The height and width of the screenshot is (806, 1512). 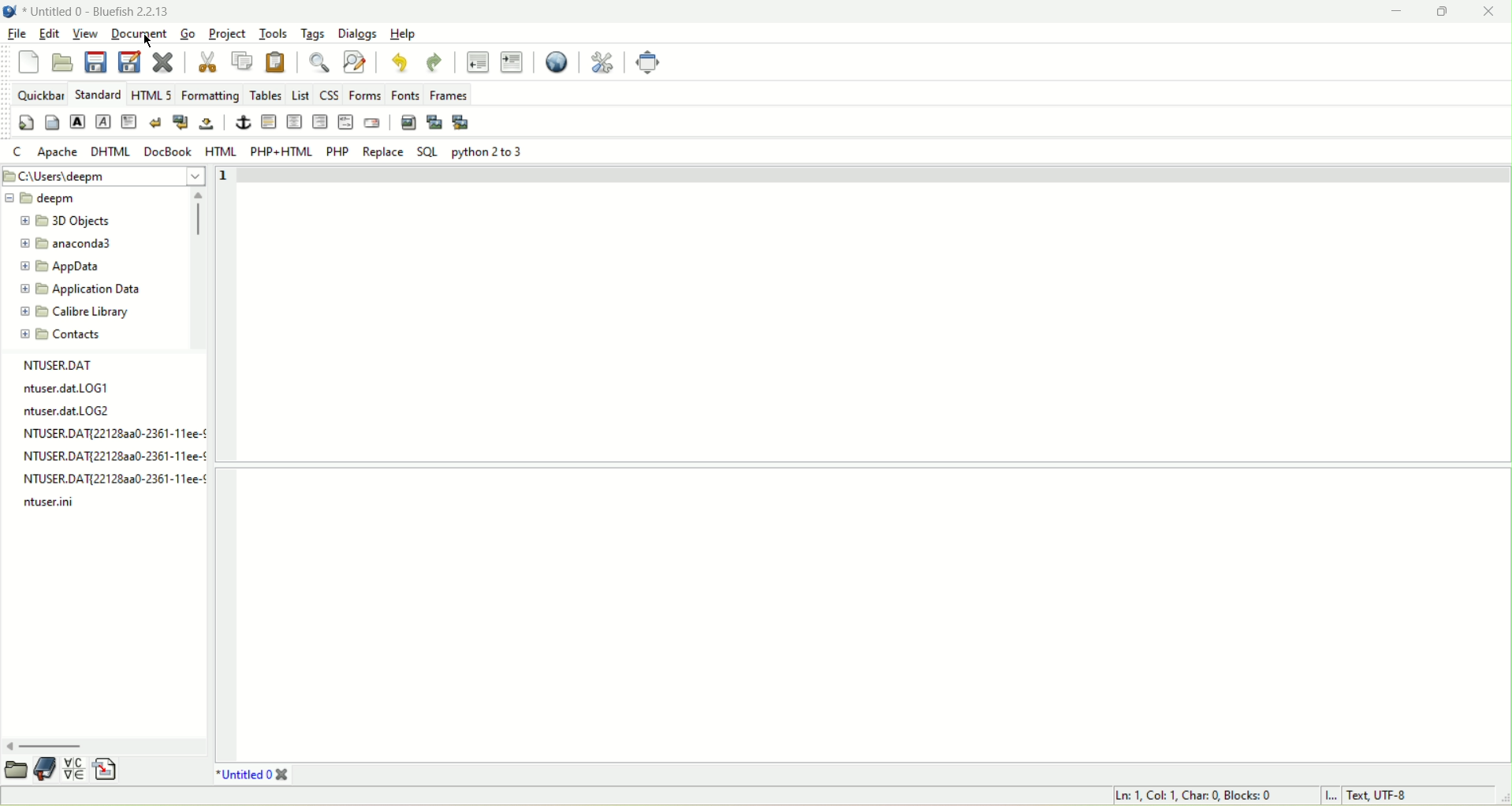 I want to click on folder name, so click(x=71, y=244).